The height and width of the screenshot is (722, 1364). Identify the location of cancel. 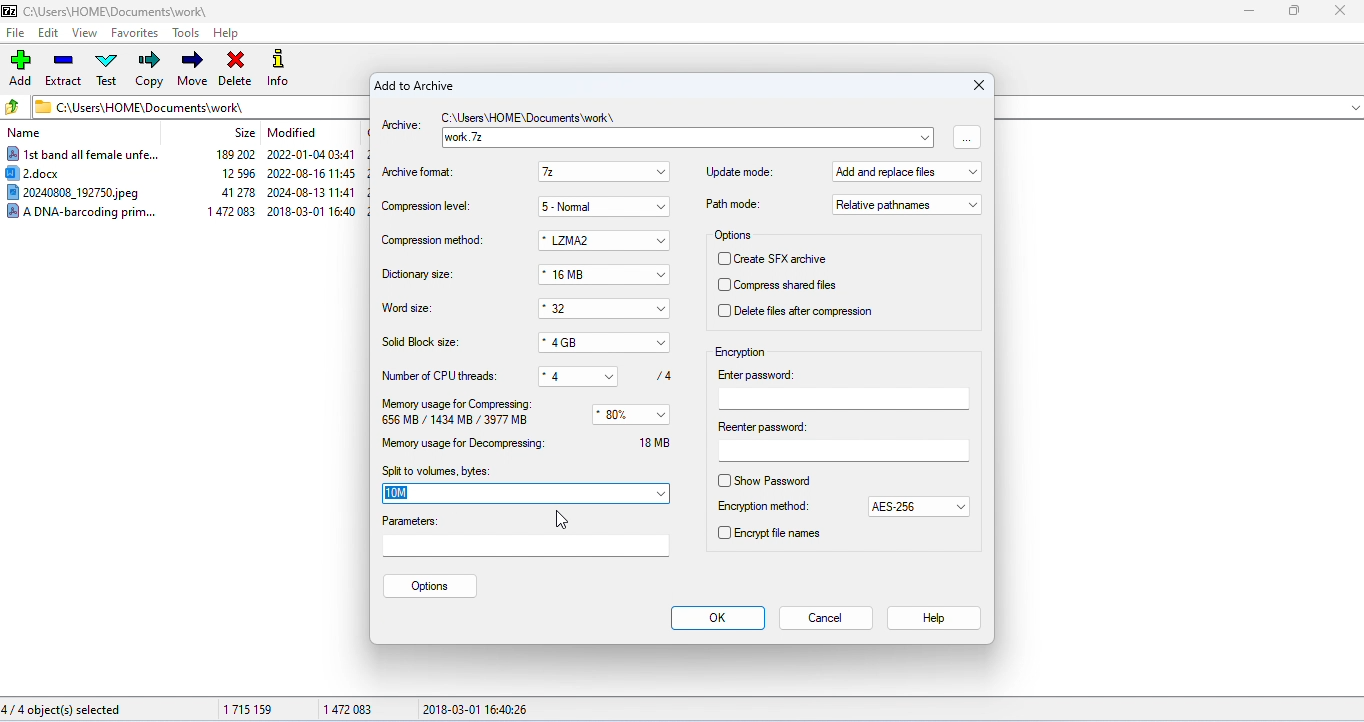
(827, 618).